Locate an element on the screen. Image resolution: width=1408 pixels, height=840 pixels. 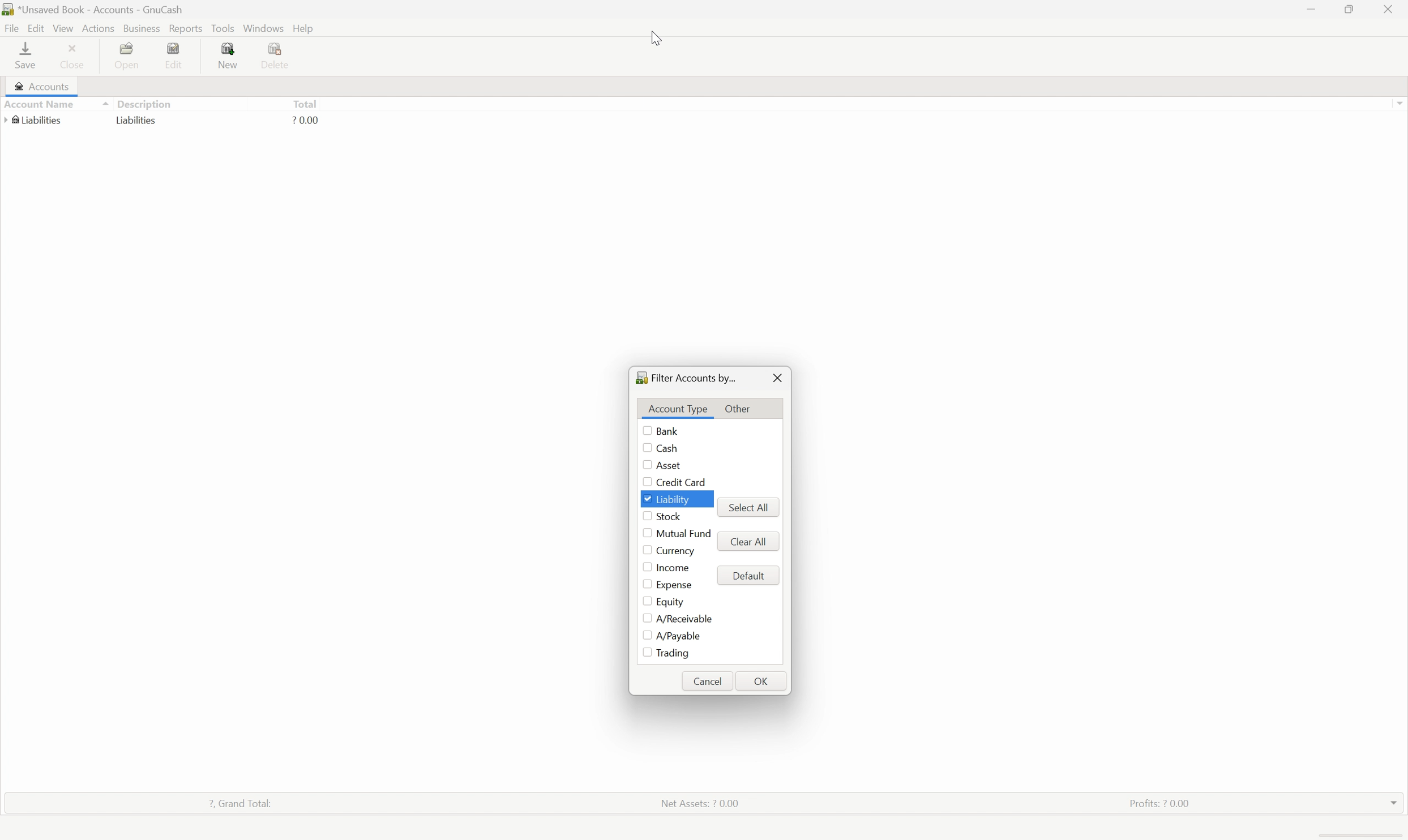
help is located at coordinates (305, 29).